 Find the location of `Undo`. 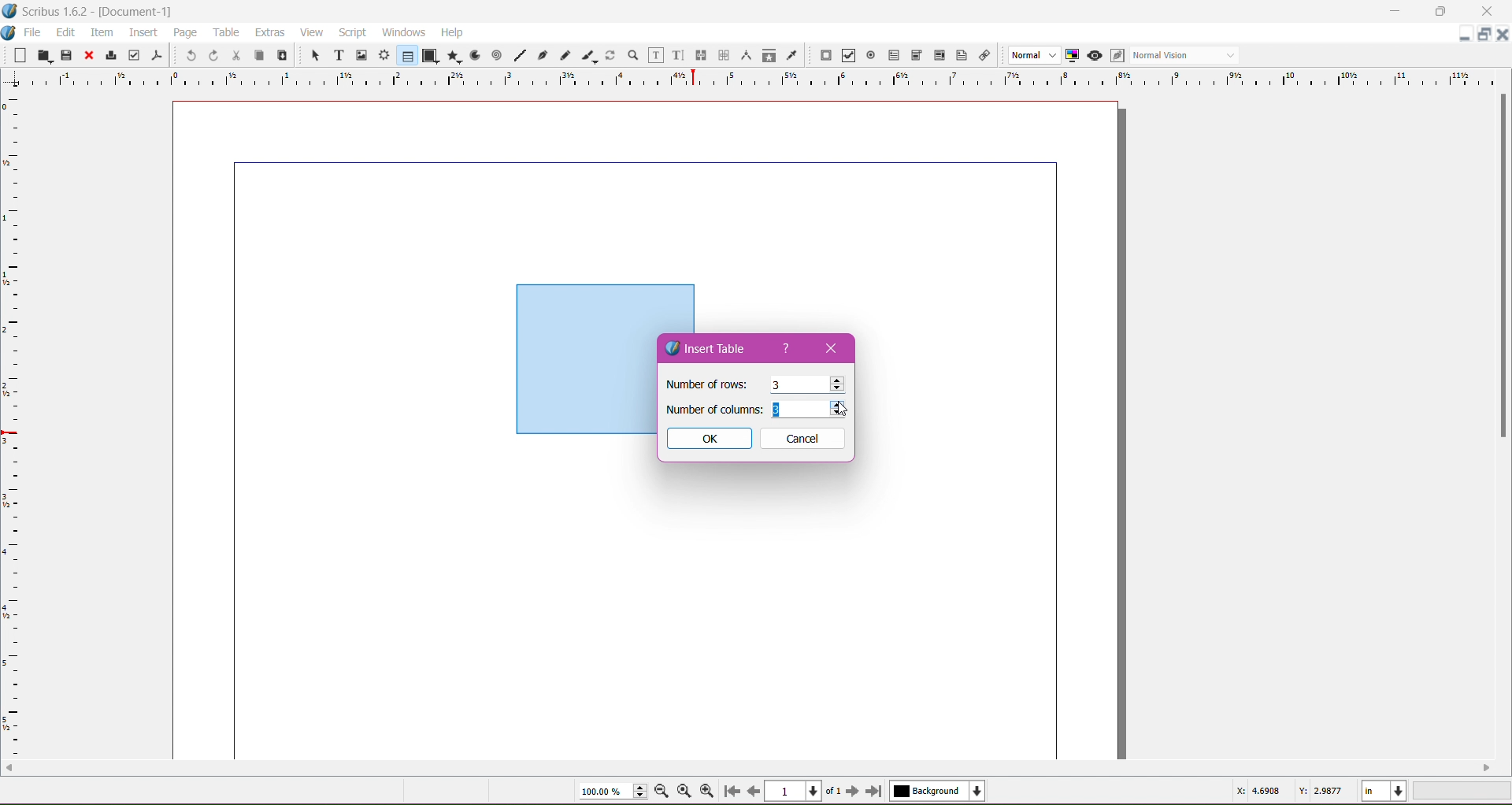

Undo is located at coordinates (189, 54).